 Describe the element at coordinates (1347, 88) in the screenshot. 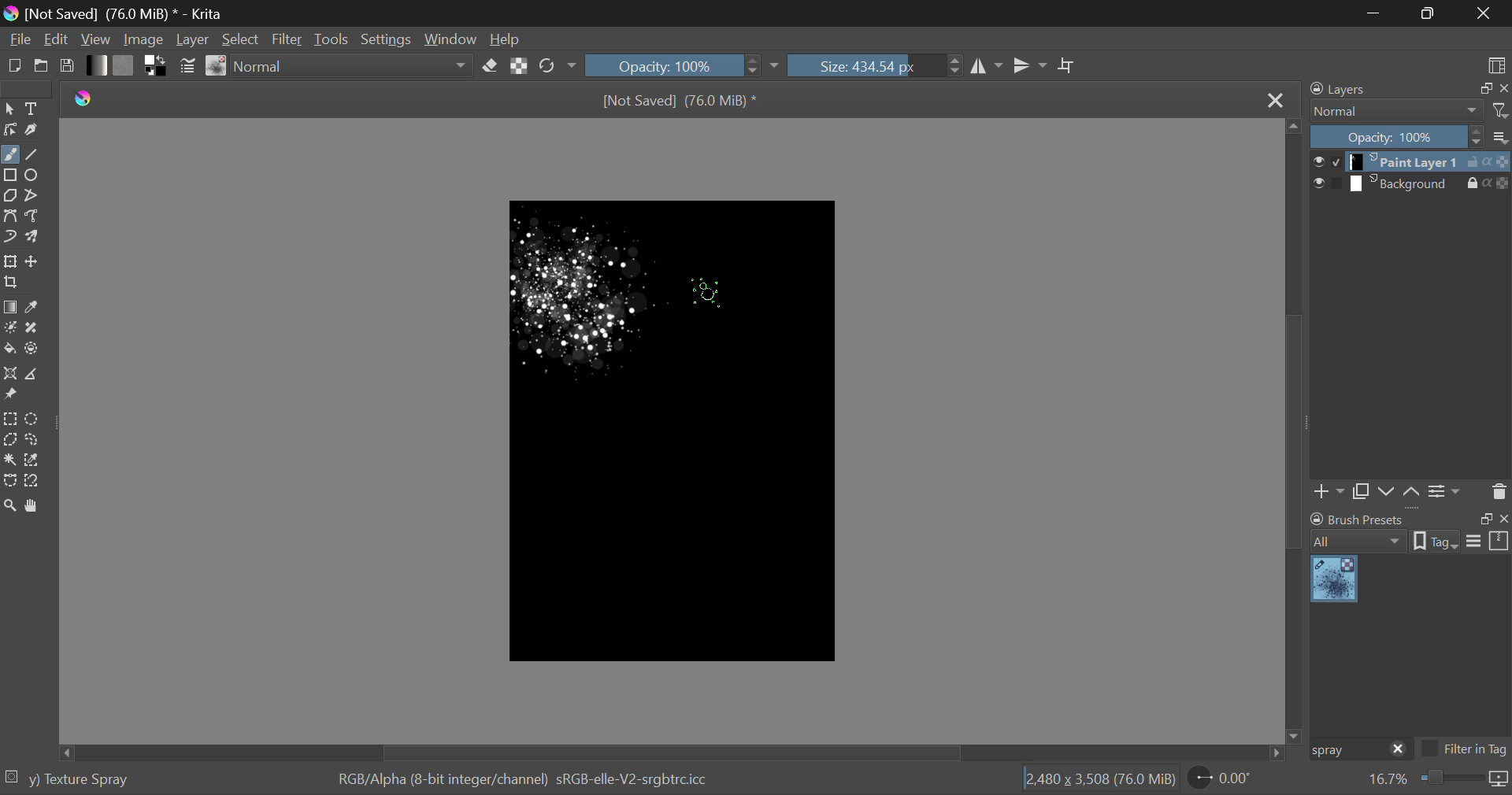

I see `Layers` at that location.